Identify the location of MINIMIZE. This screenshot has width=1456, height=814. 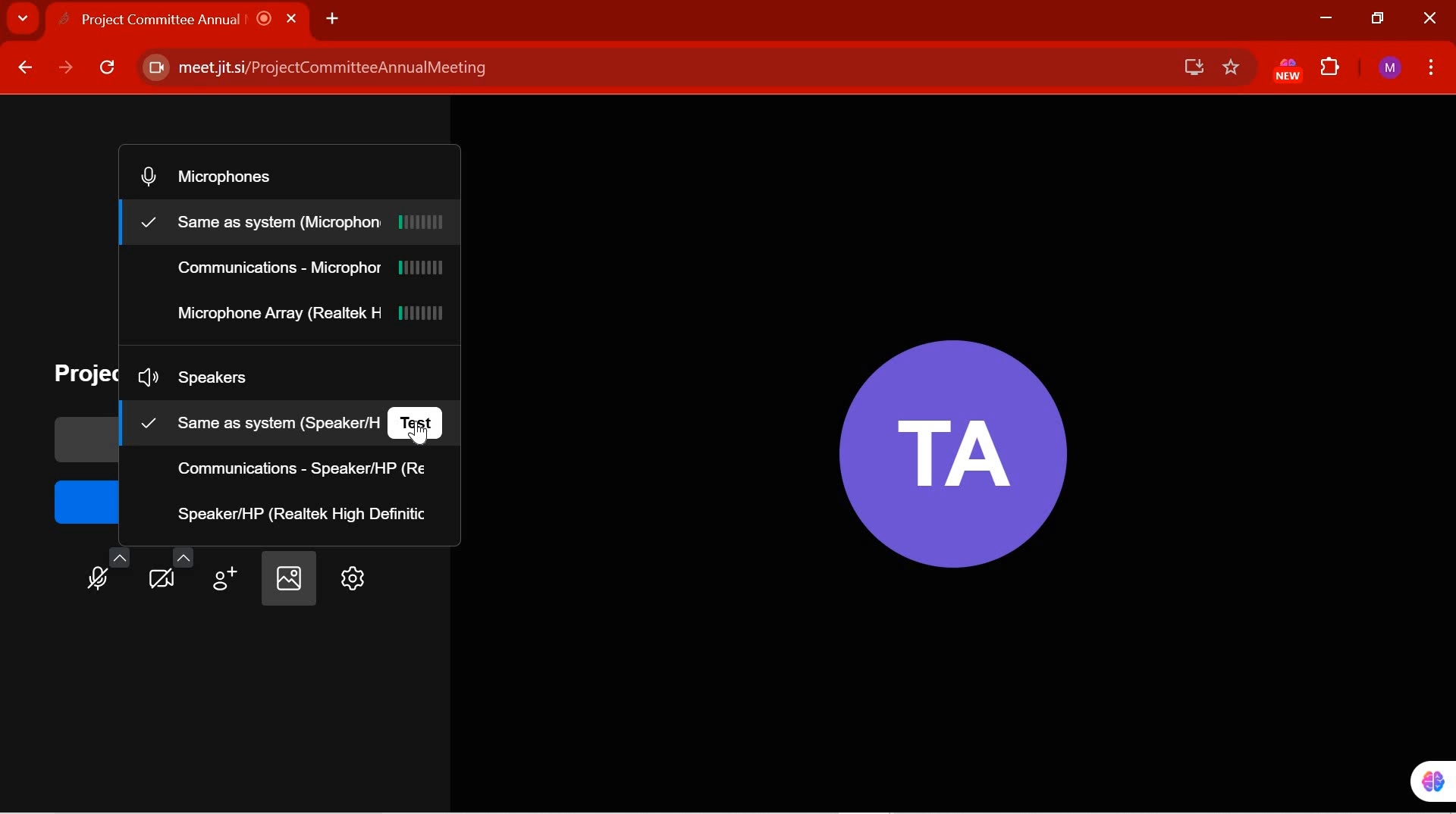
(1325, 18).